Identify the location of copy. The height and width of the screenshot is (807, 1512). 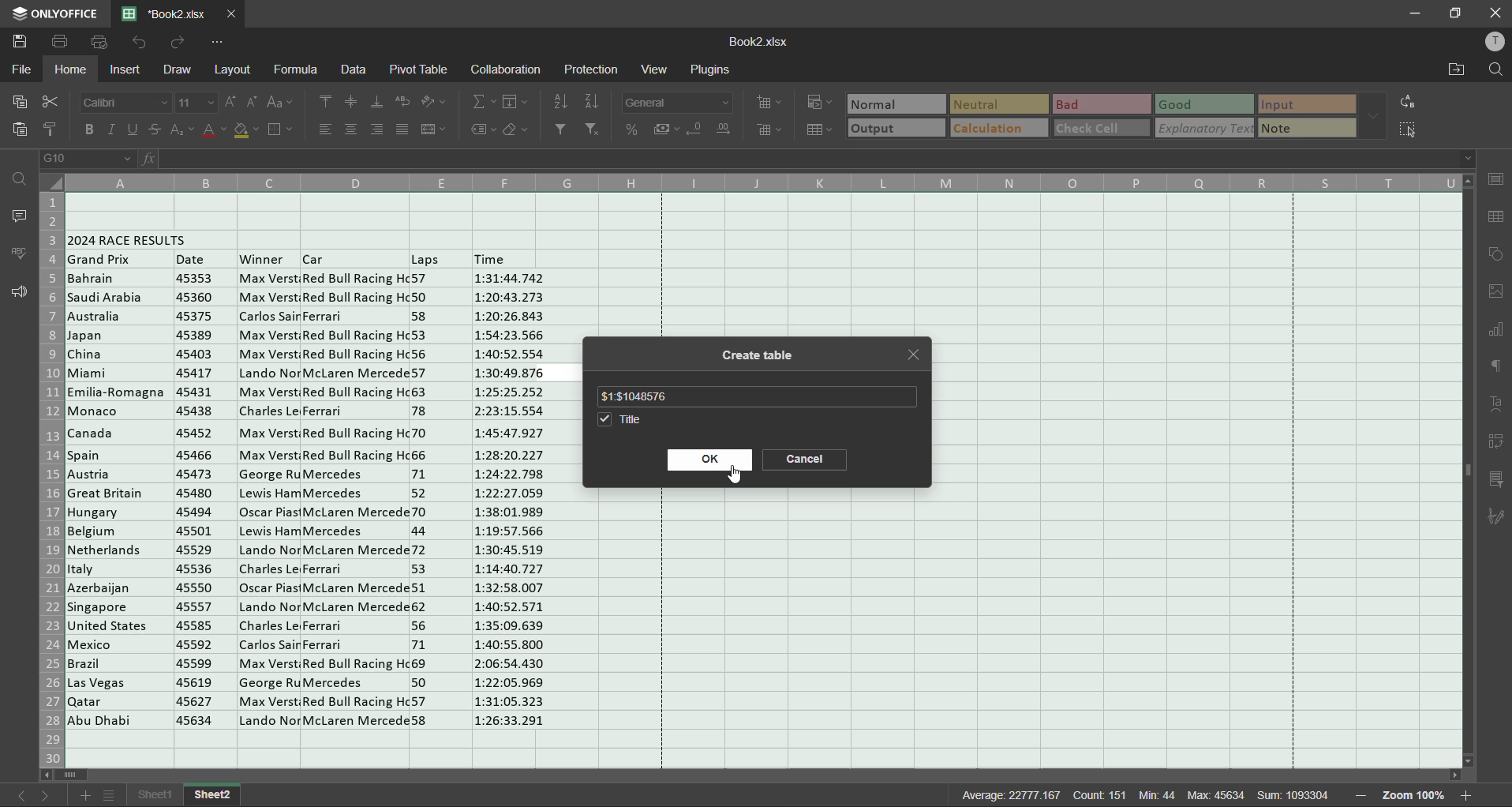
(22, 103).